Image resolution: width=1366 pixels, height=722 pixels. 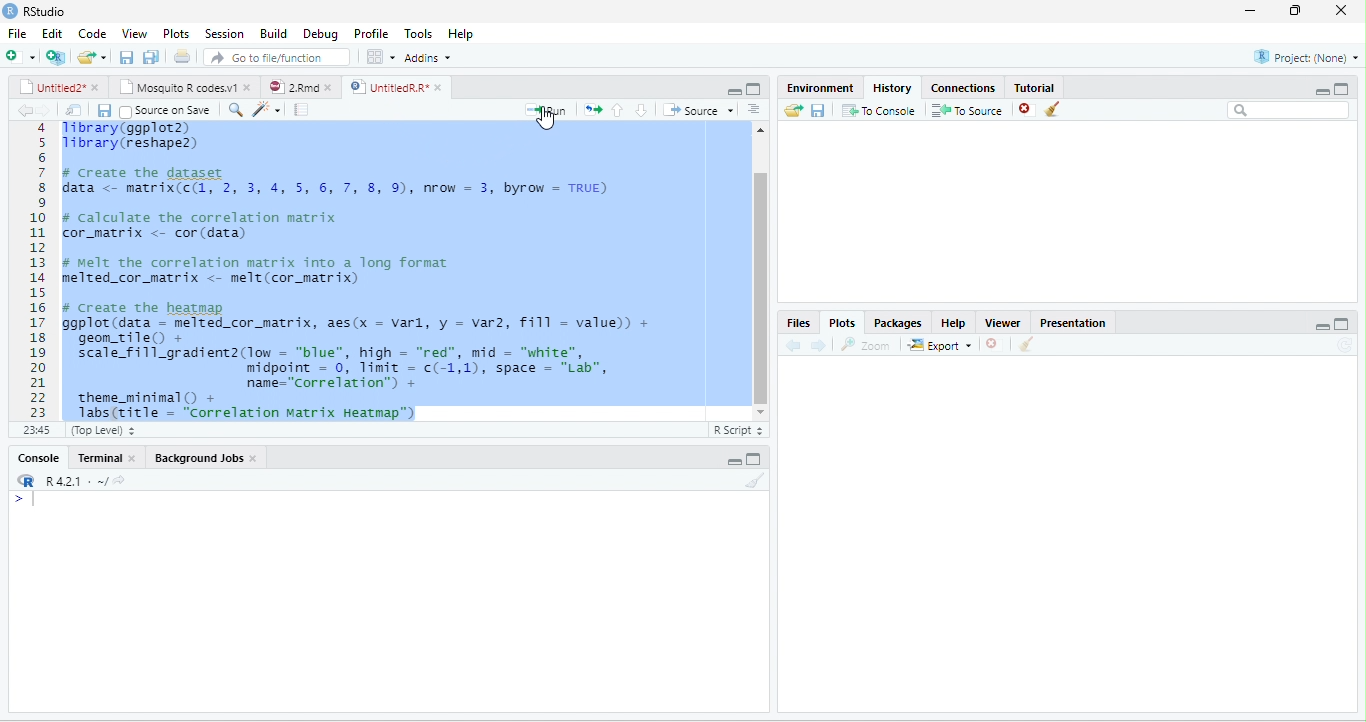 What do you see at coordinates (432, 57) in the screenshot?
I see `addins` at bounding box center [432, 57].